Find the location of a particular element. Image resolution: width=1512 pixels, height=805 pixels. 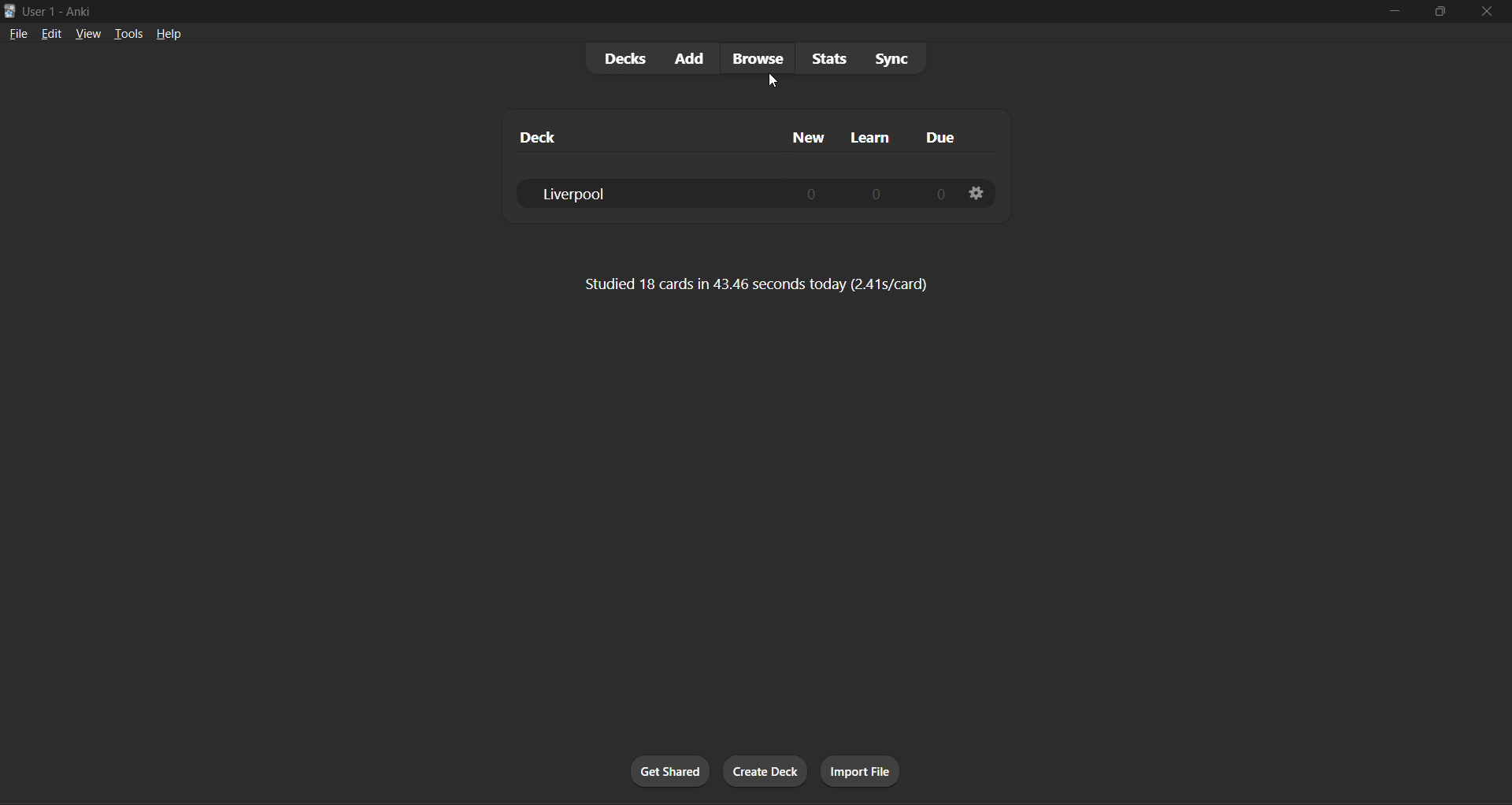

import file is located at coordinates (860, 773).